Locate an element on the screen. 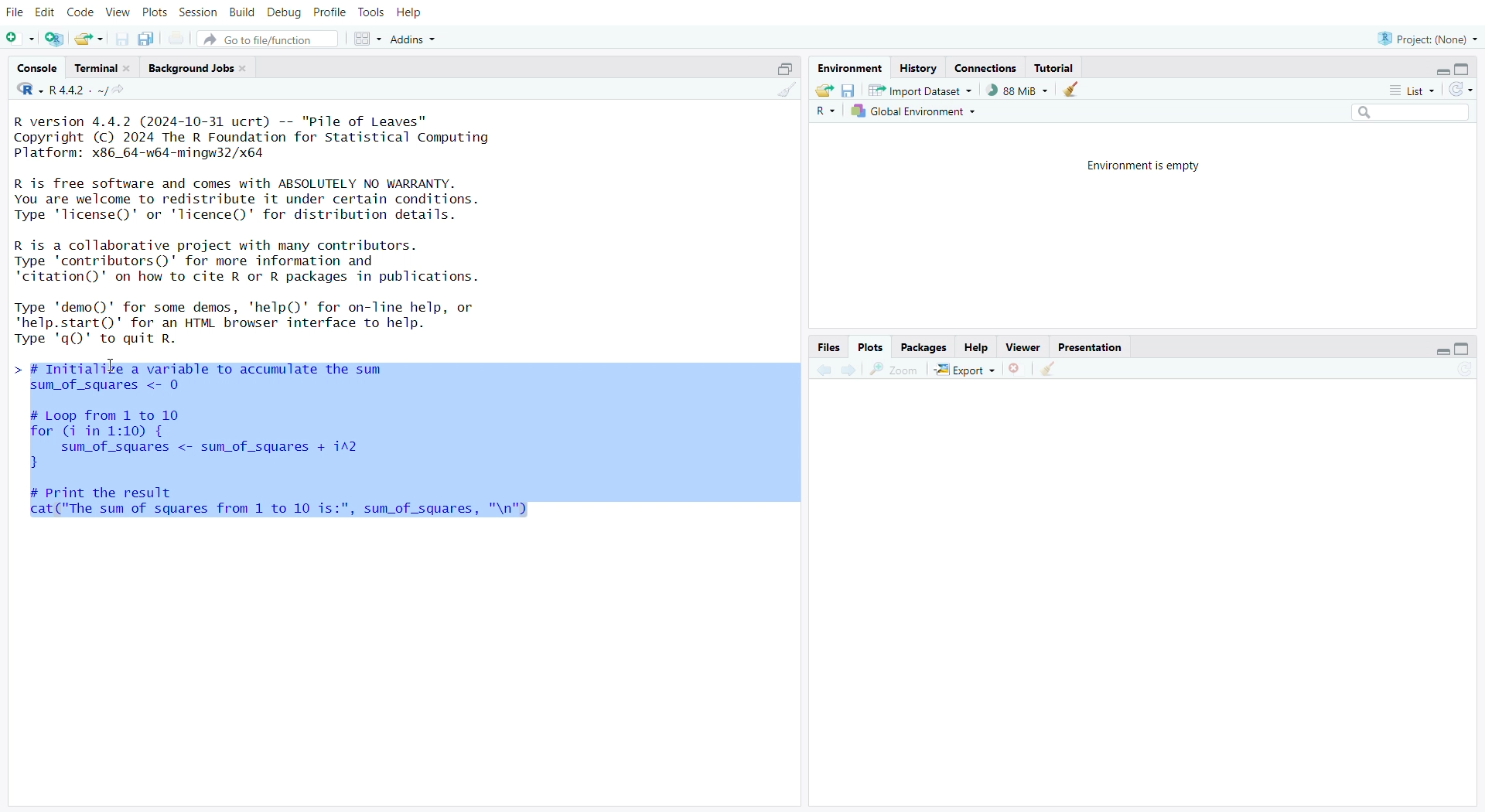 This screenshot has height=812, width=1485. save all open documents is located at coordinates (146, 39).